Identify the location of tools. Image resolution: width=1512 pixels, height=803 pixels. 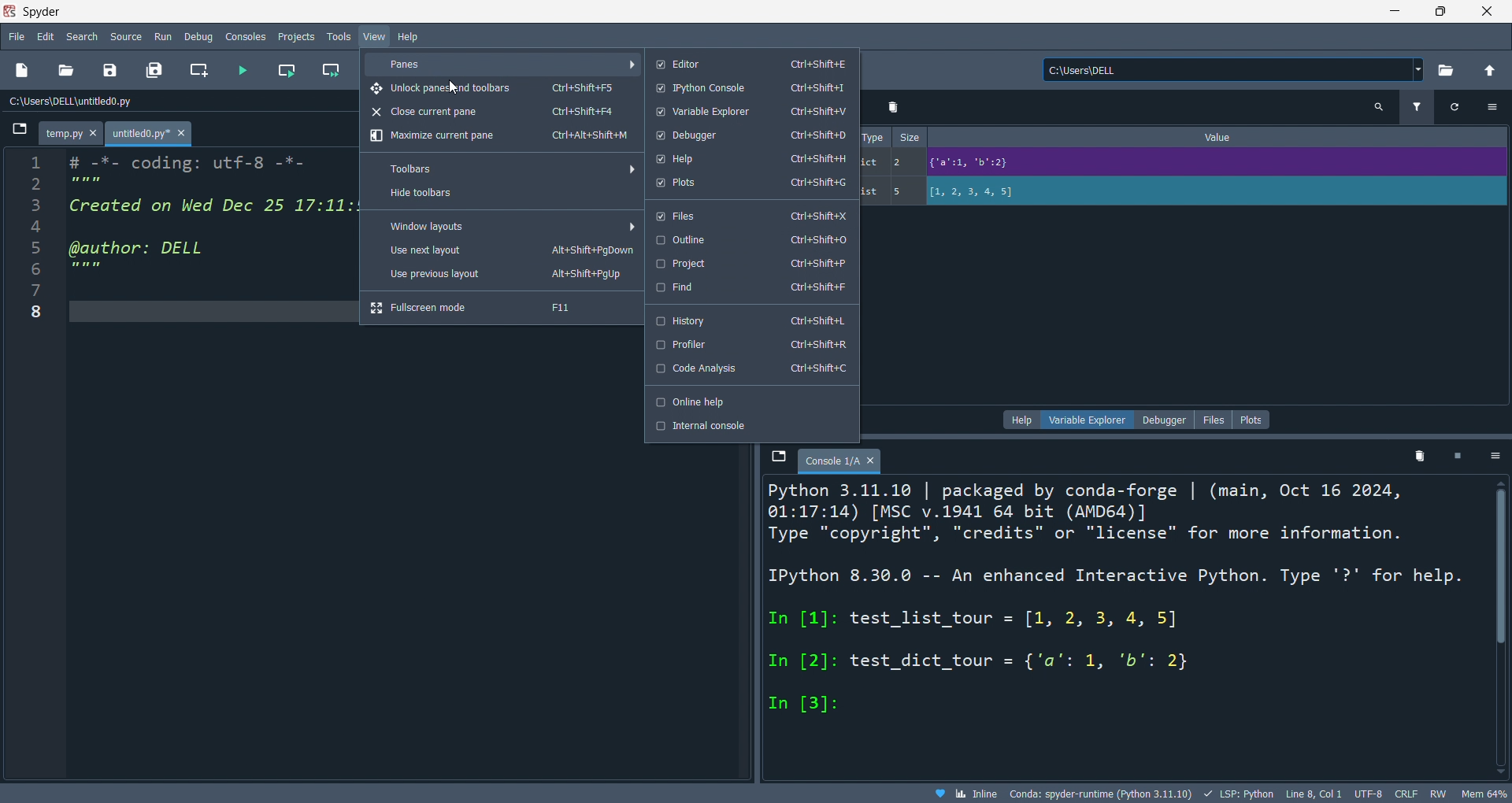
(337, 37).